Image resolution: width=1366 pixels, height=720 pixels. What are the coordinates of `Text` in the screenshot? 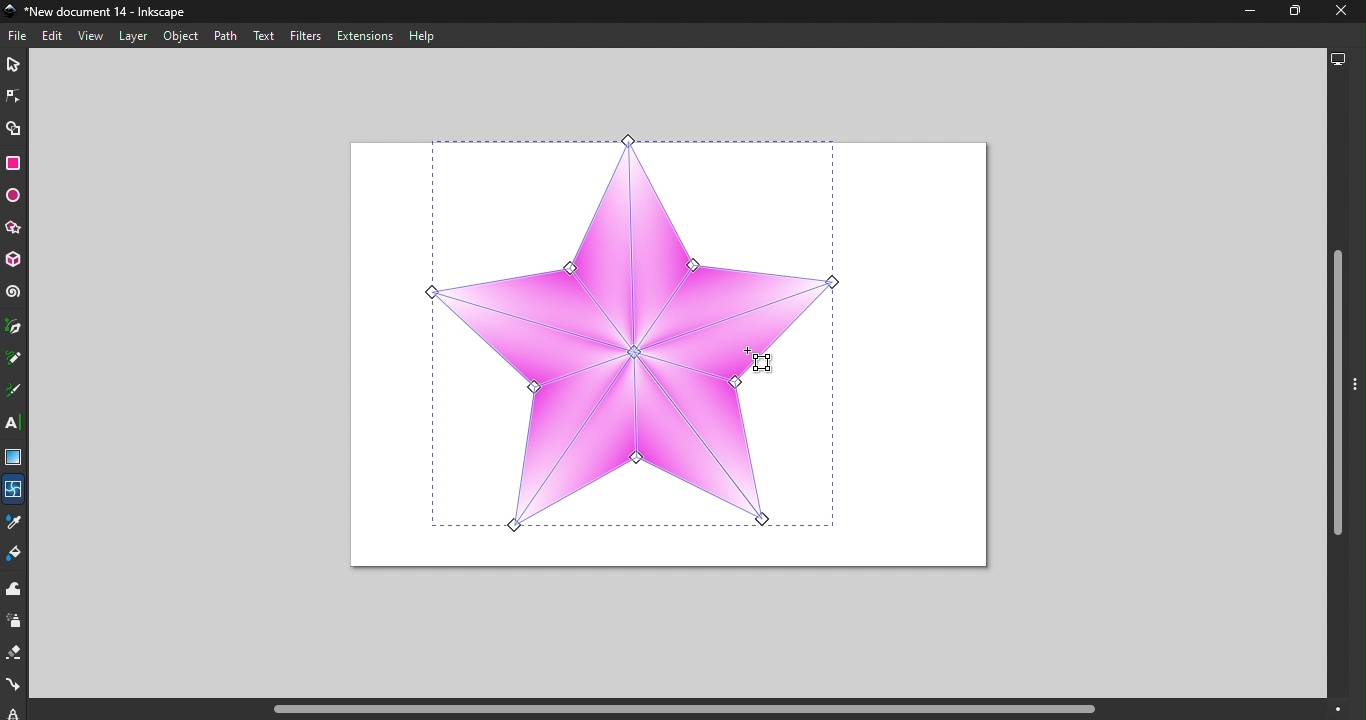 It's located at (263, 35).